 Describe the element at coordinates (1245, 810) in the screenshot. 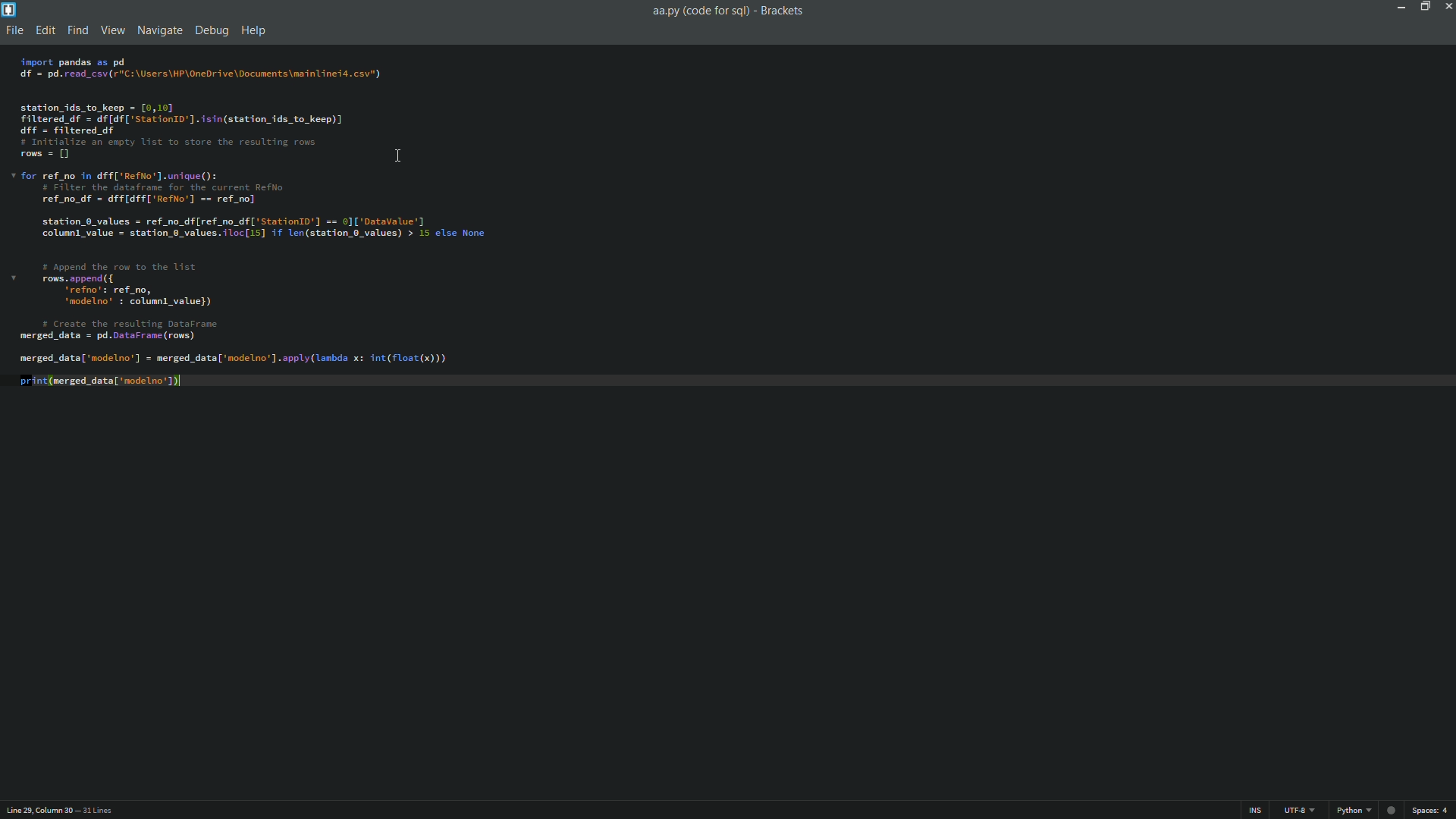

I see `ins` at that location.